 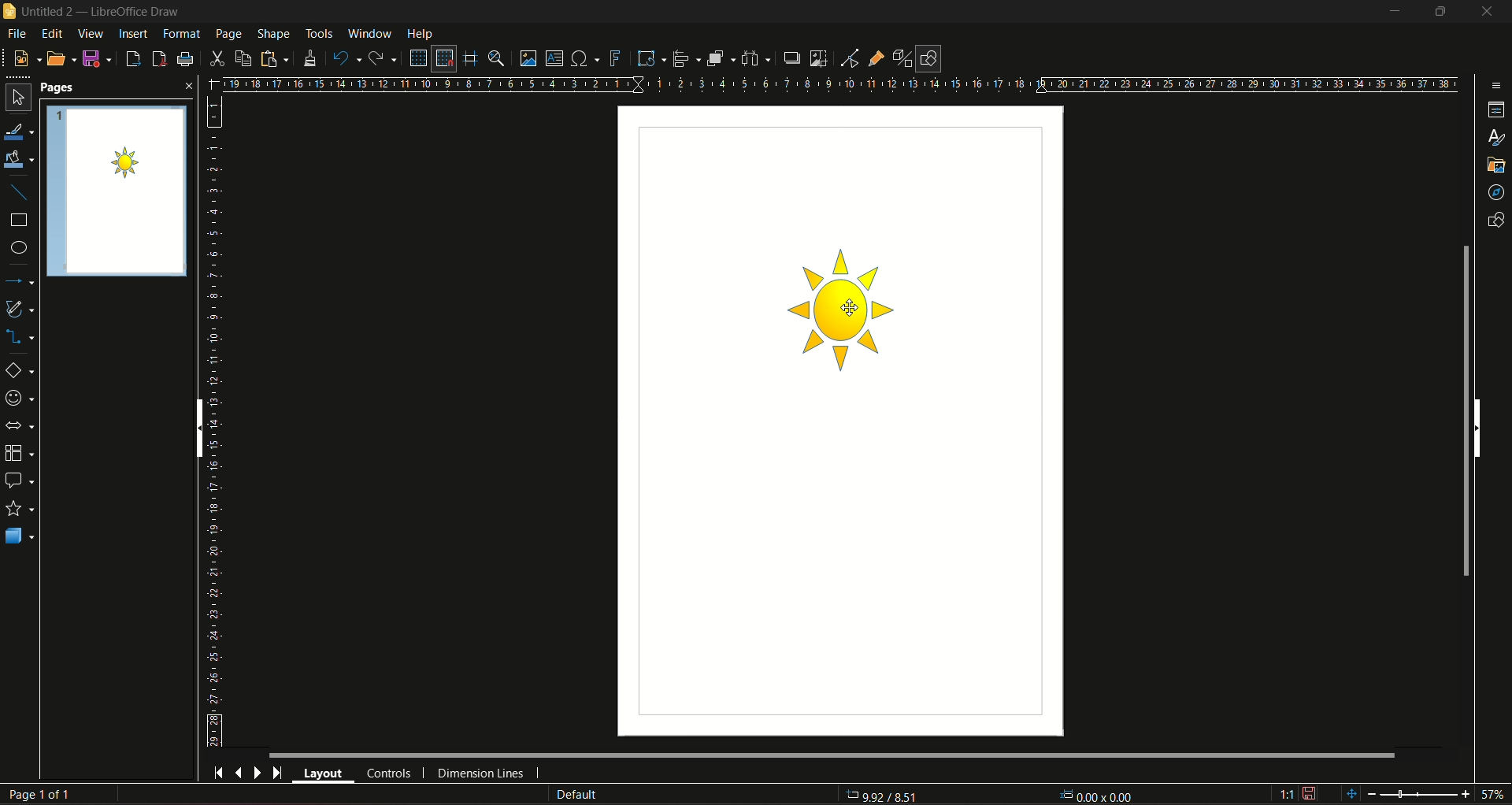 What do you see at coordinates (1496, 191) in the screenshot?
I see `navigator` at bounding box center [1496, 191].